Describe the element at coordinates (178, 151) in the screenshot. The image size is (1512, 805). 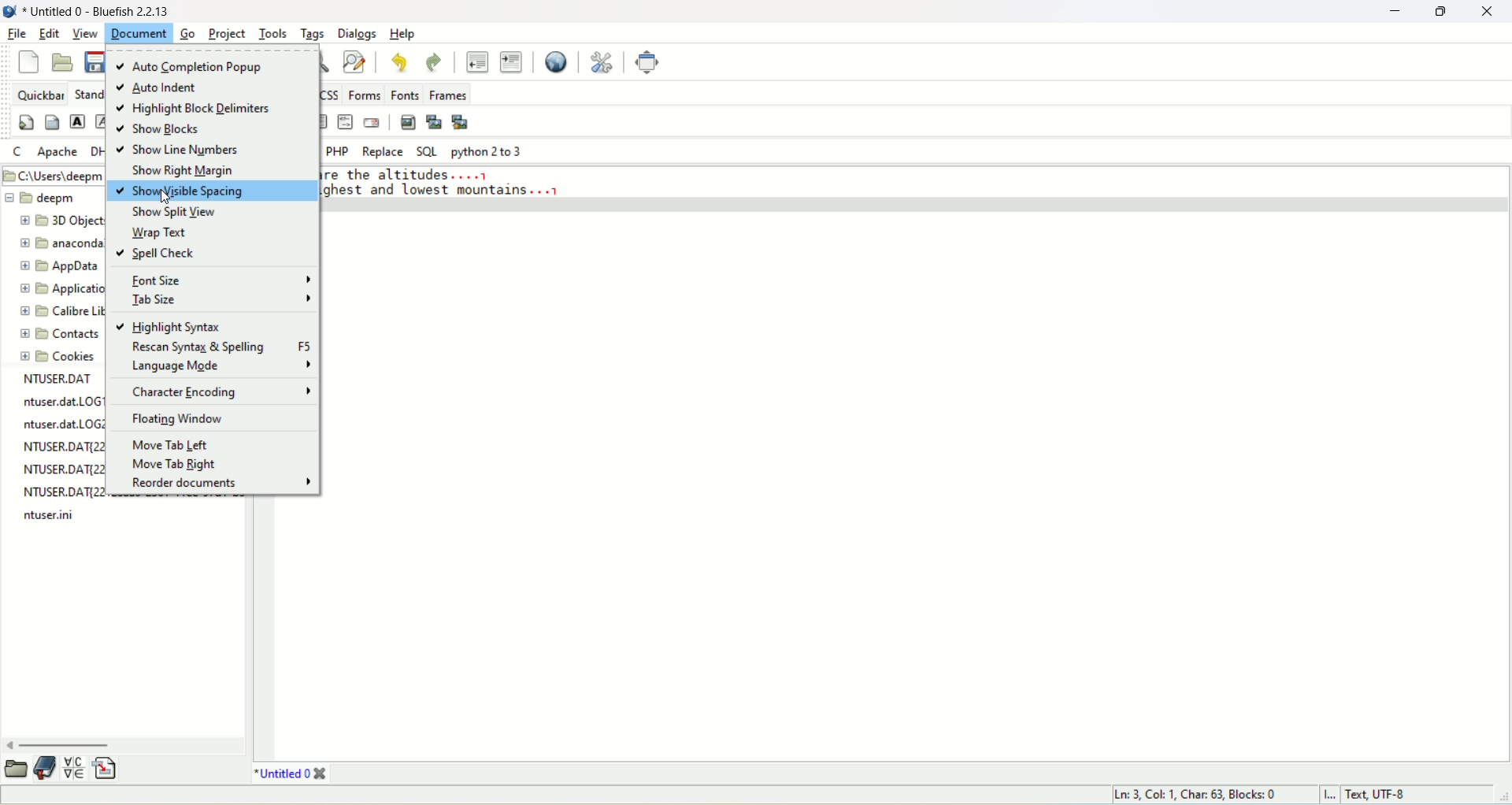
I see `show line numbers` at that location.